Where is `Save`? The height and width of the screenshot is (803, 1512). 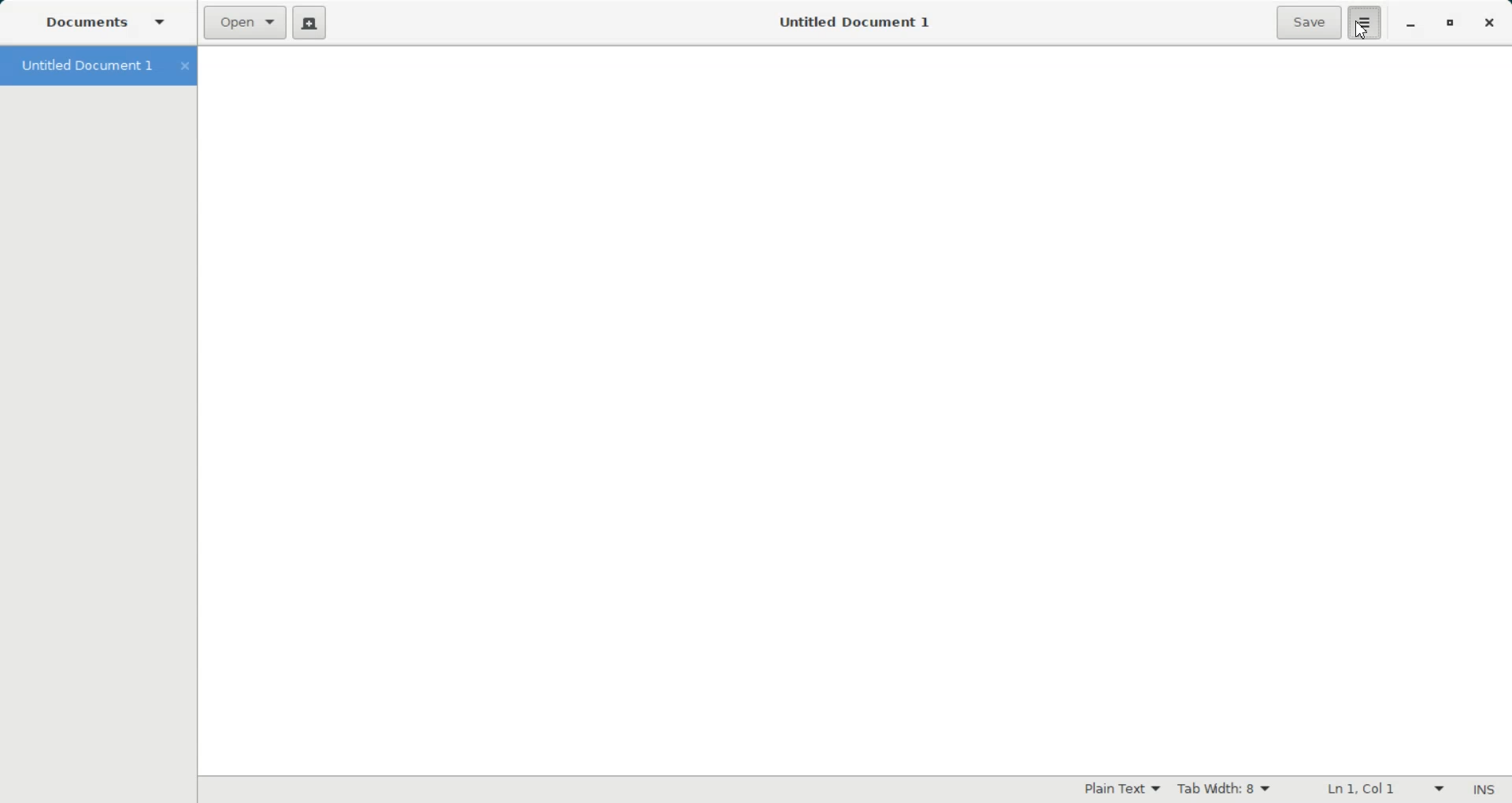 Save is located at coordinates (1307, 23).